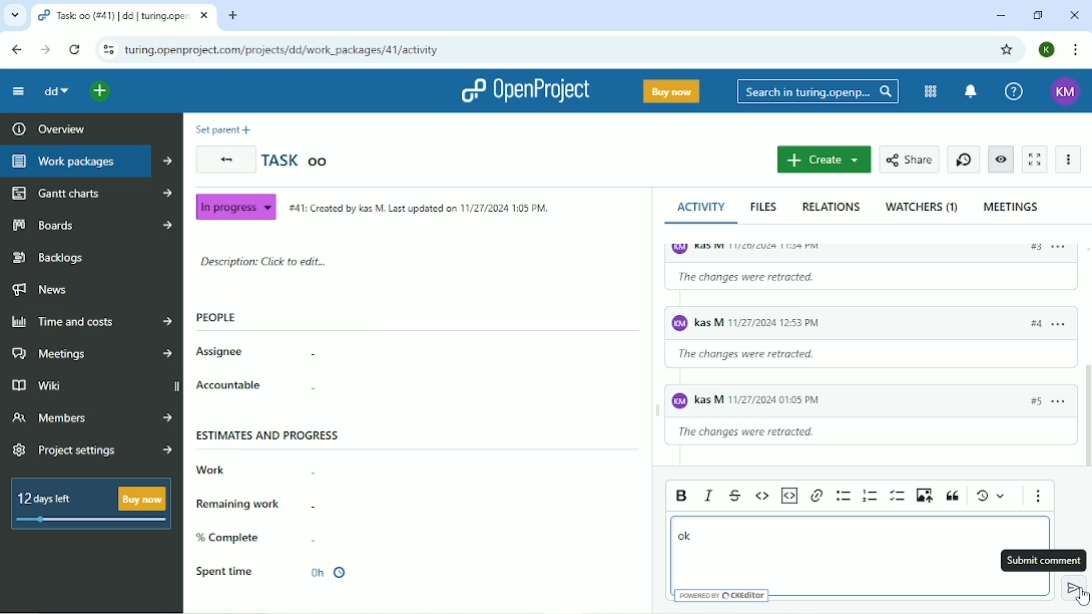 This screenshot has height=614, width=1092. Describe the element at coordinates (898, 496) in the screenshot. I see `To-do list` at that location.